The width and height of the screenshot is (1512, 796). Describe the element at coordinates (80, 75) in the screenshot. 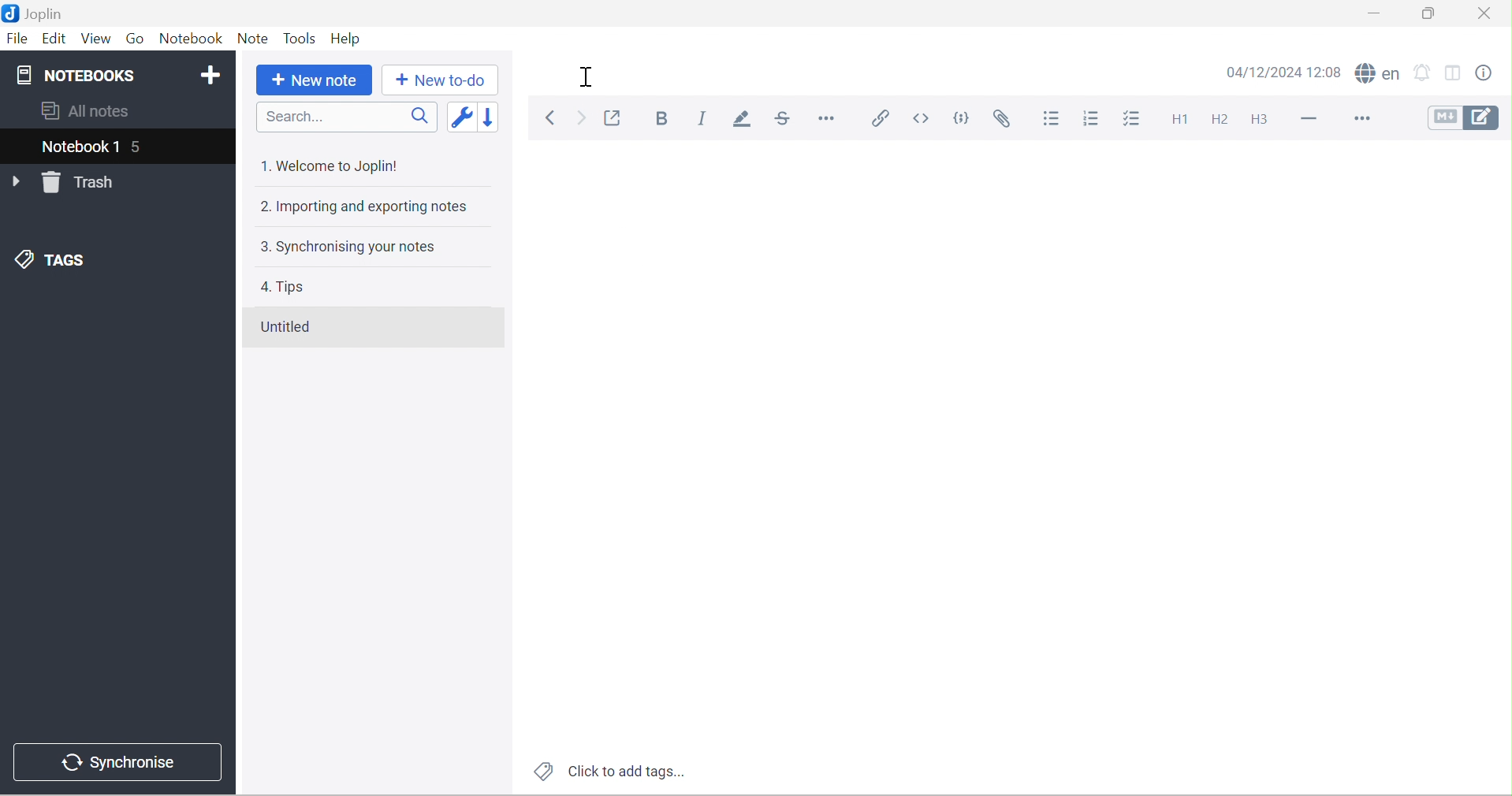

I see `NOTEBOOKS` at that location.